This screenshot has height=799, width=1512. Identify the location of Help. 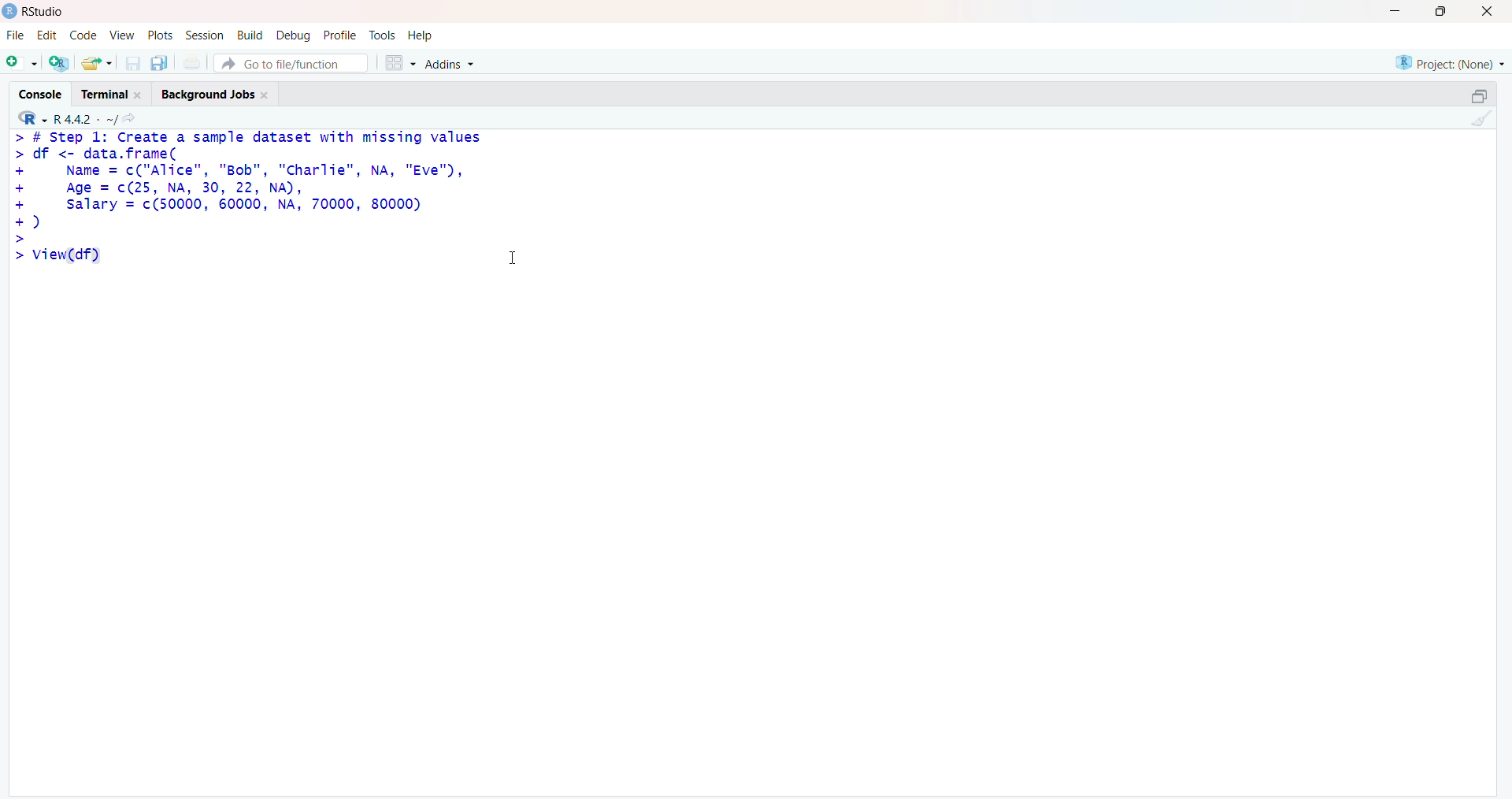
(422, 35).